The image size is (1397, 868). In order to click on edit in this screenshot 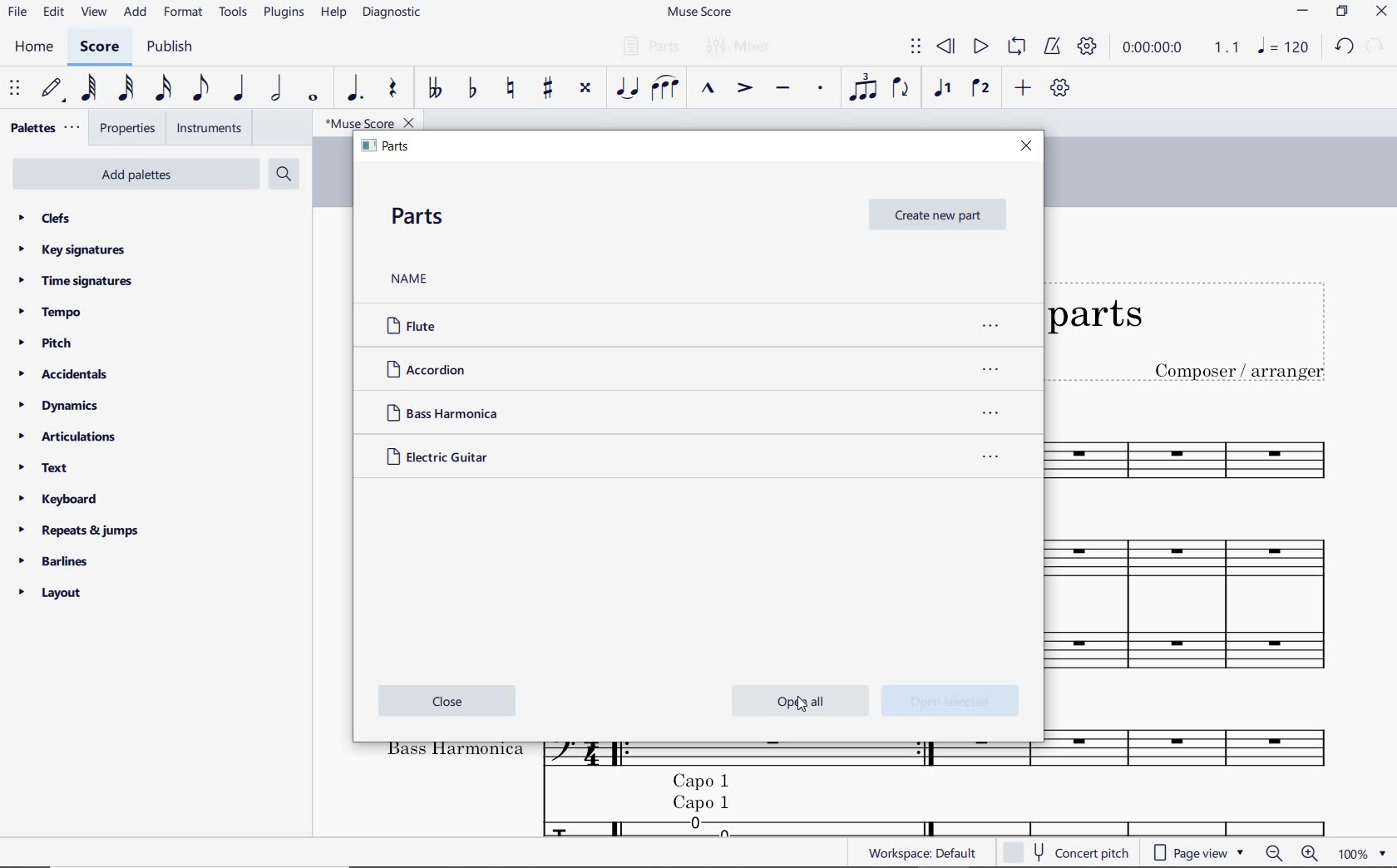, I will do `click(54, 13)`.